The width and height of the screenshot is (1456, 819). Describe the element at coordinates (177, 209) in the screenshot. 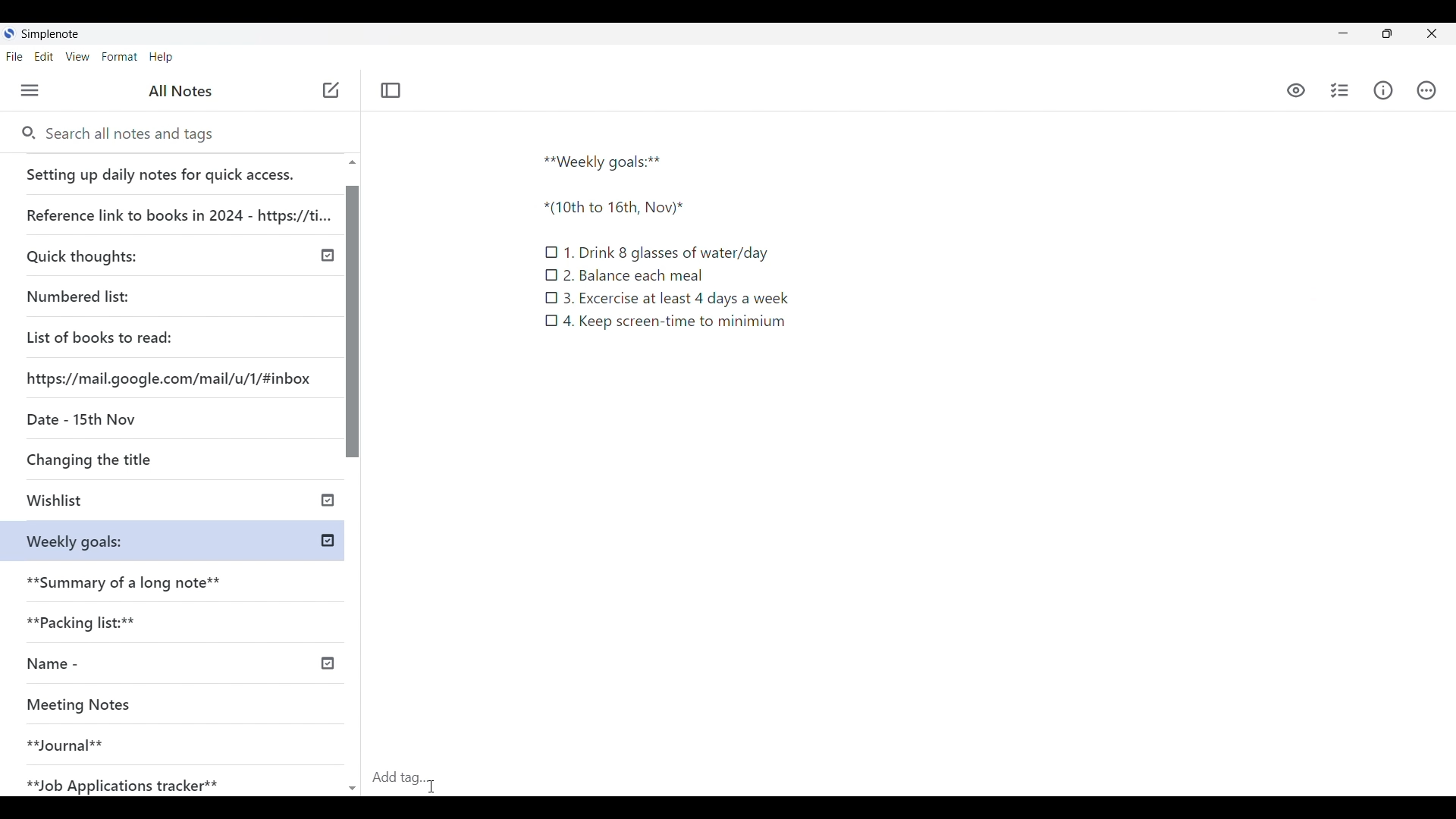

I see `Reference link` at that location.